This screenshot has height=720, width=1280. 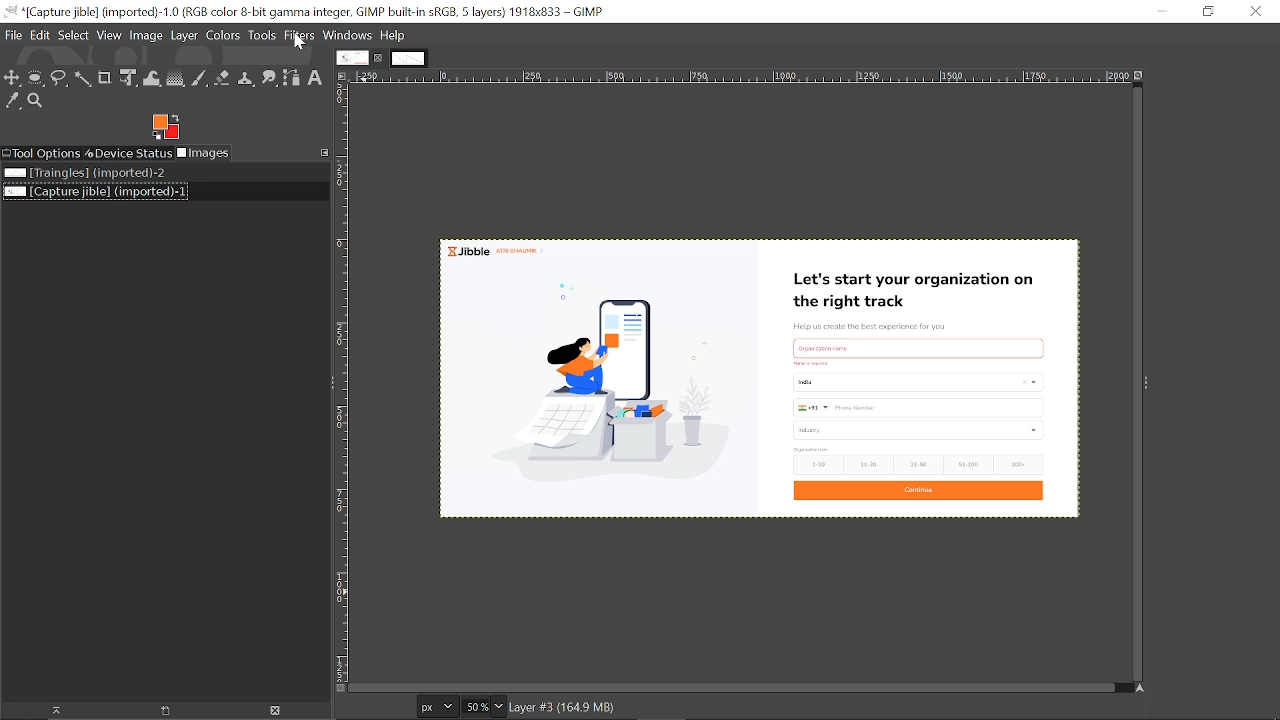 I want to click on Filters, so click(x=300, y=35).